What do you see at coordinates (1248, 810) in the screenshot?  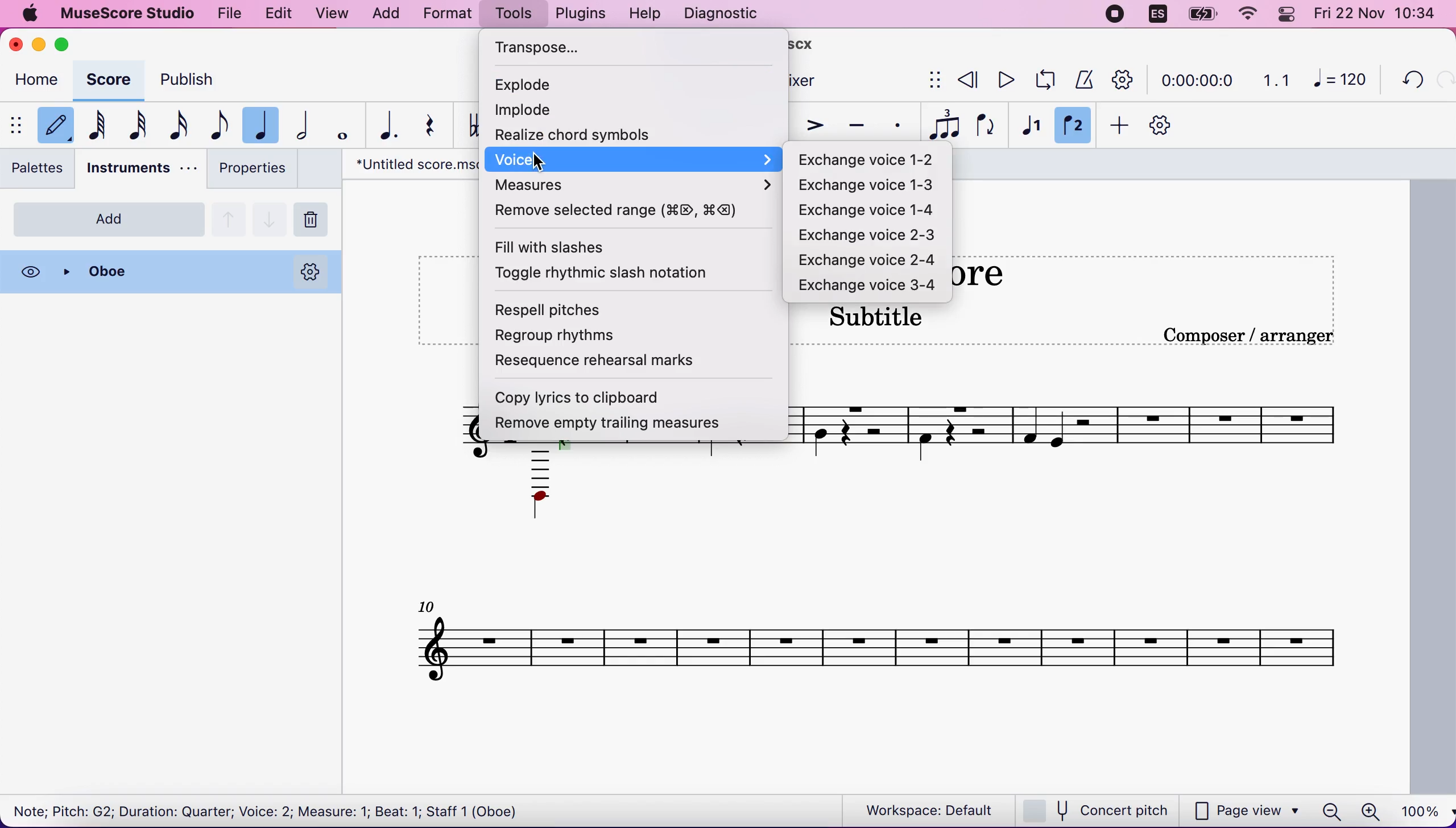 I see `page view` at bounding box center [1248, 810].